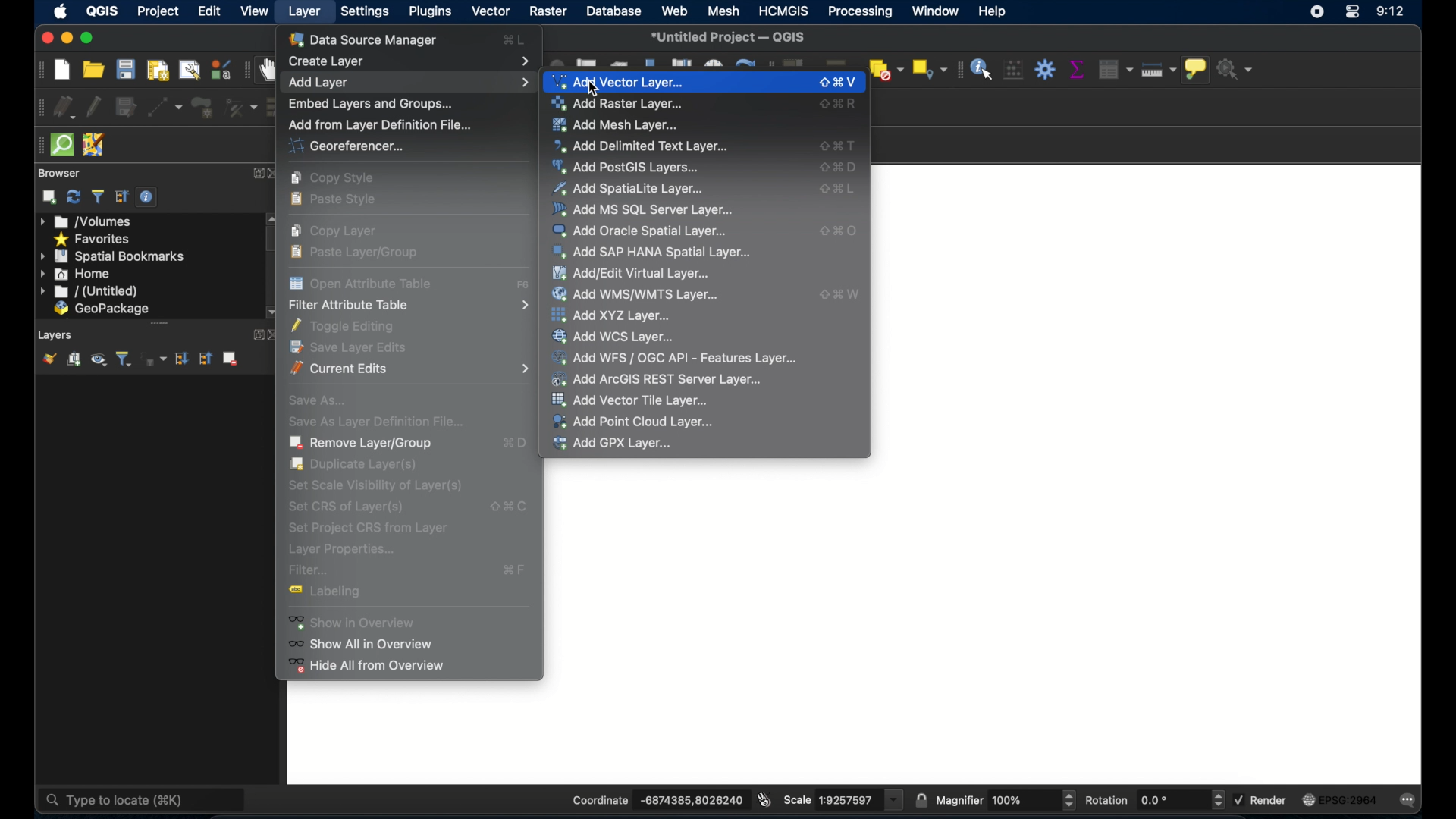 The height and width of the screenshot is (819, 1456). What do you see at coordinates (545, 12) in the screenshot?
I see `raster` at bounding box center [545, 12].